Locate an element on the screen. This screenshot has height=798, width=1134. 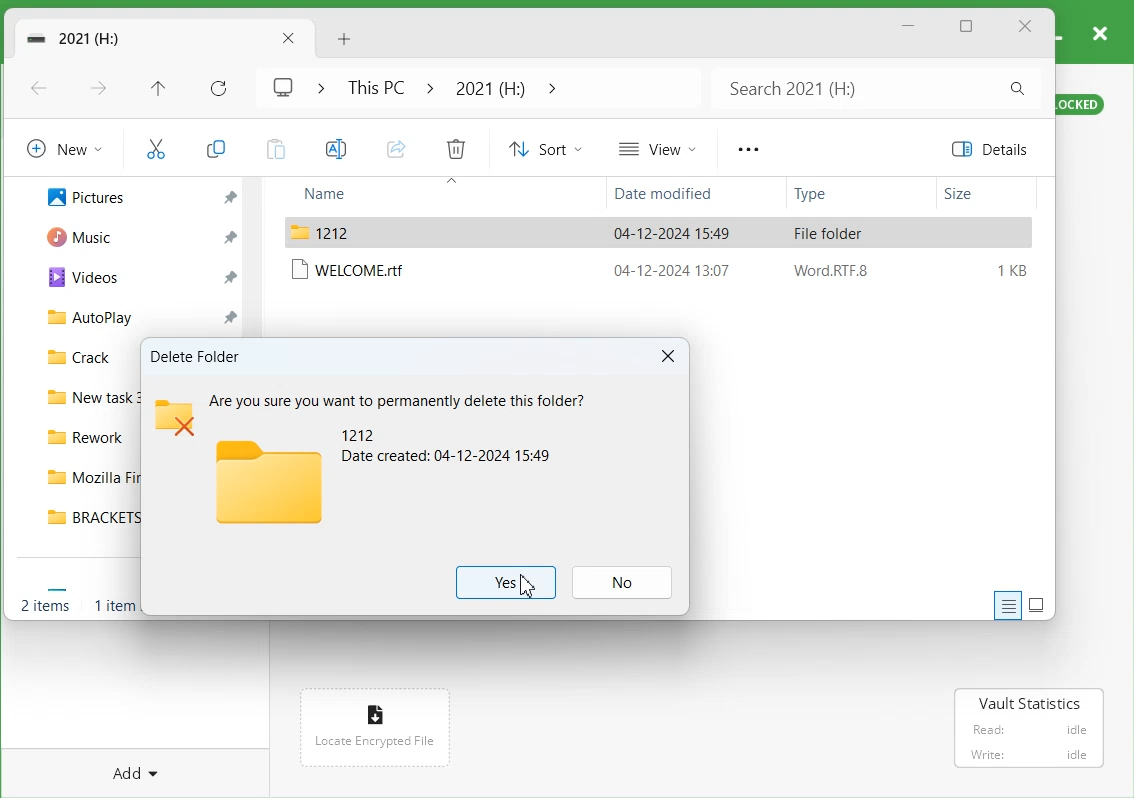
Refresh is located at coordinates (217, 87).